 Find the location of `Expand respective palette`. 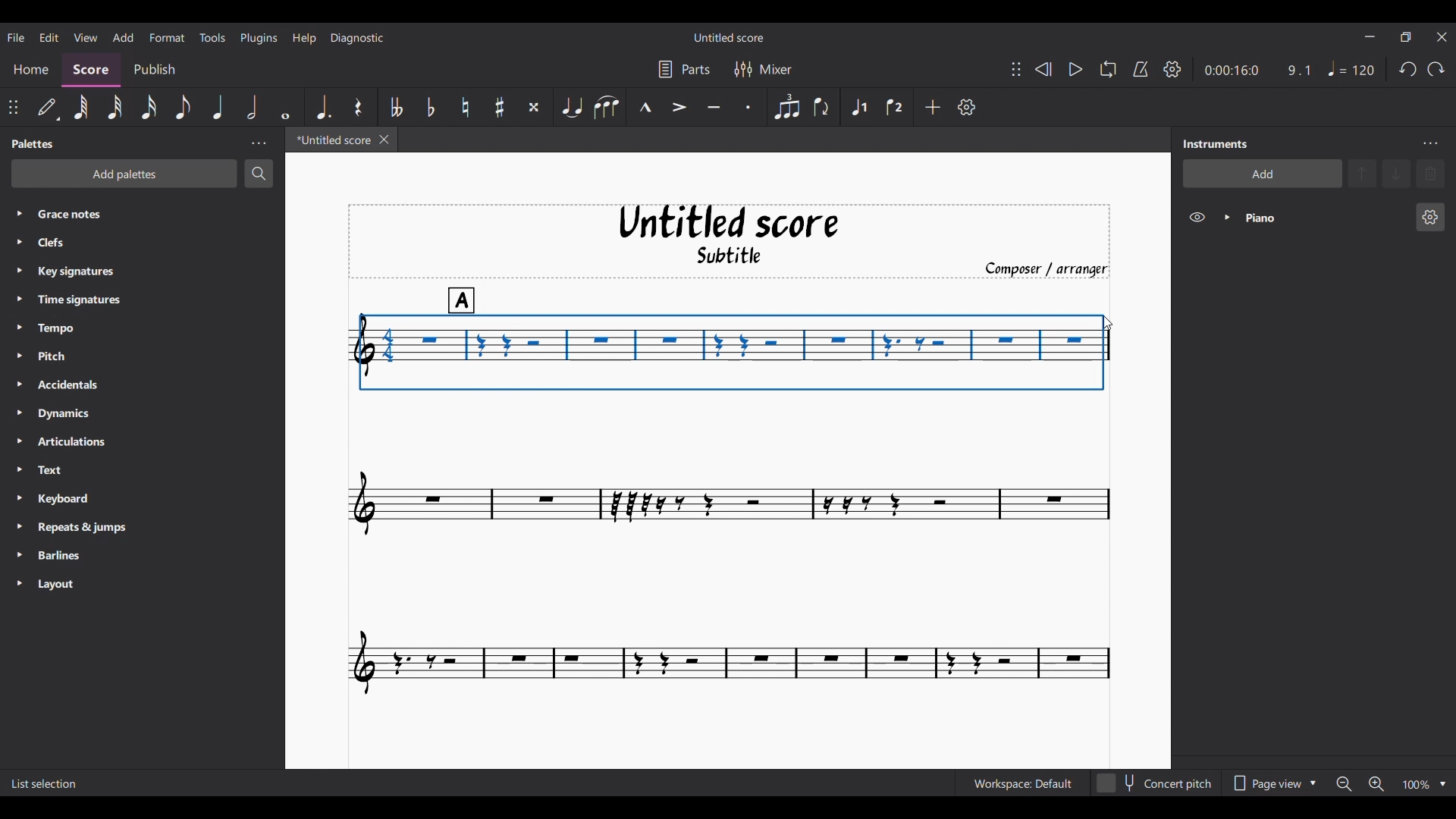

Expand respective palette is located at coordinates (14, 398).